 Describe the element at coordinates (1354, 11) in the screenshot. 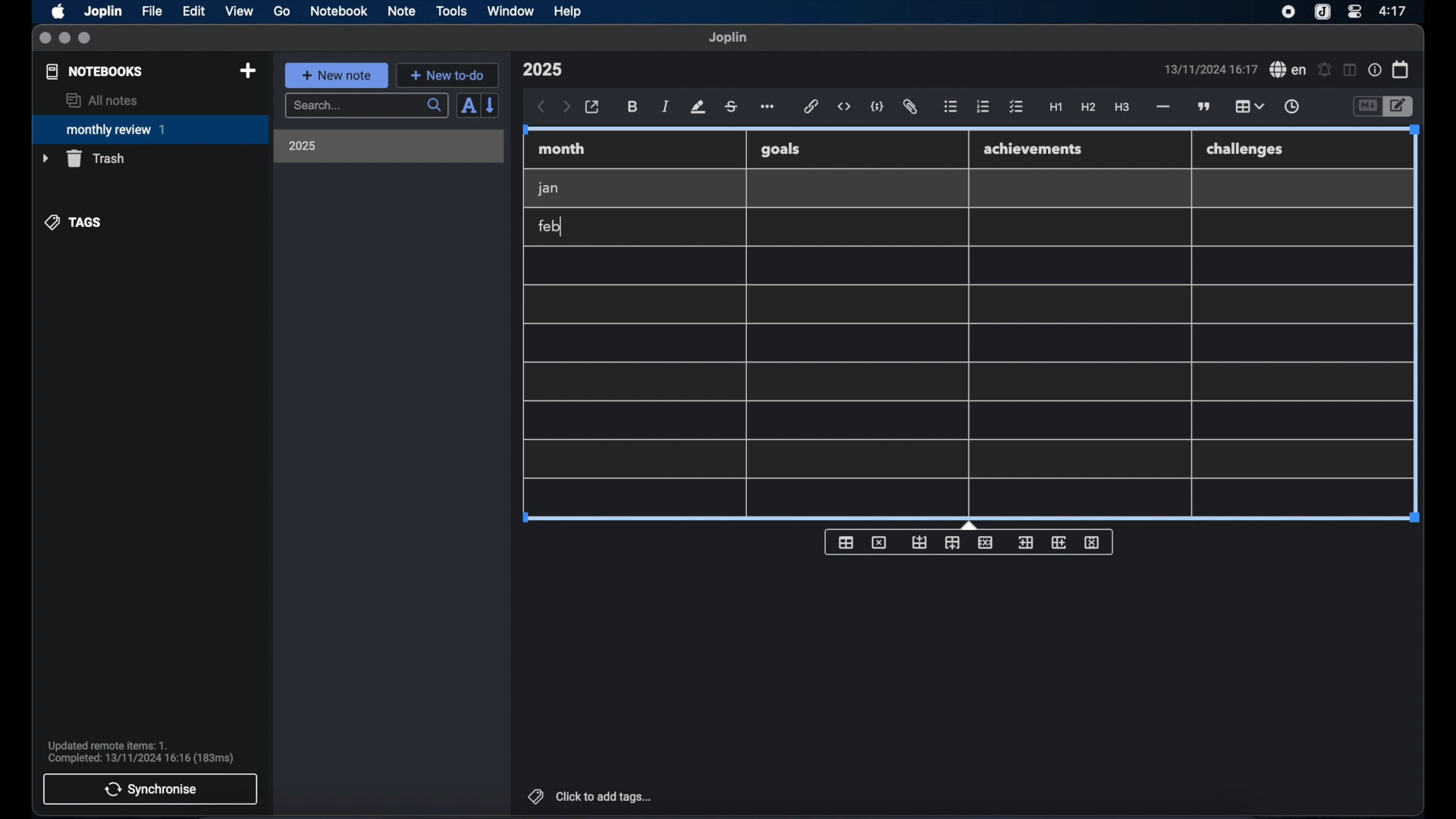

I see `control center` at that location.